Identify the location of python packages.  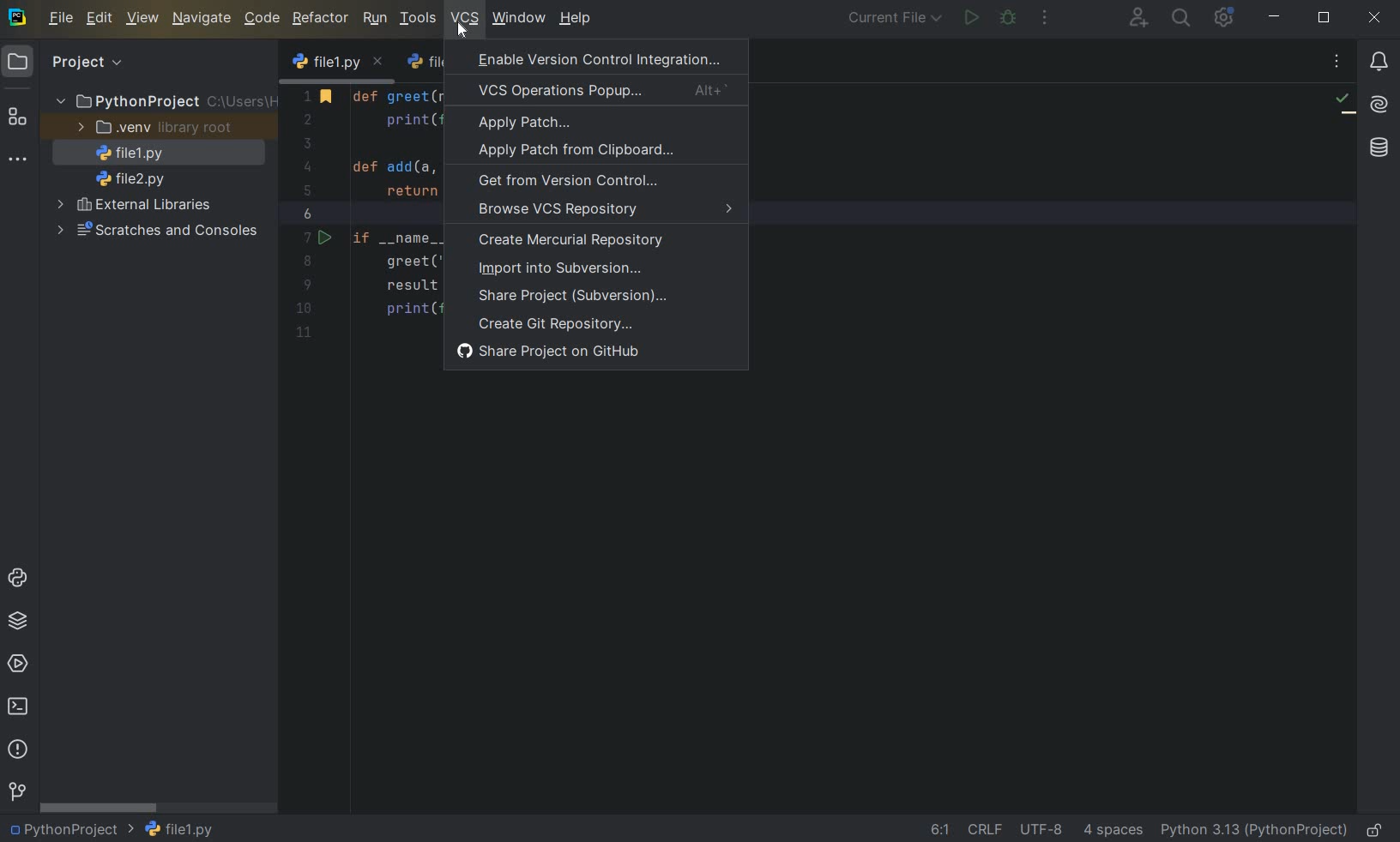
(18, 621).